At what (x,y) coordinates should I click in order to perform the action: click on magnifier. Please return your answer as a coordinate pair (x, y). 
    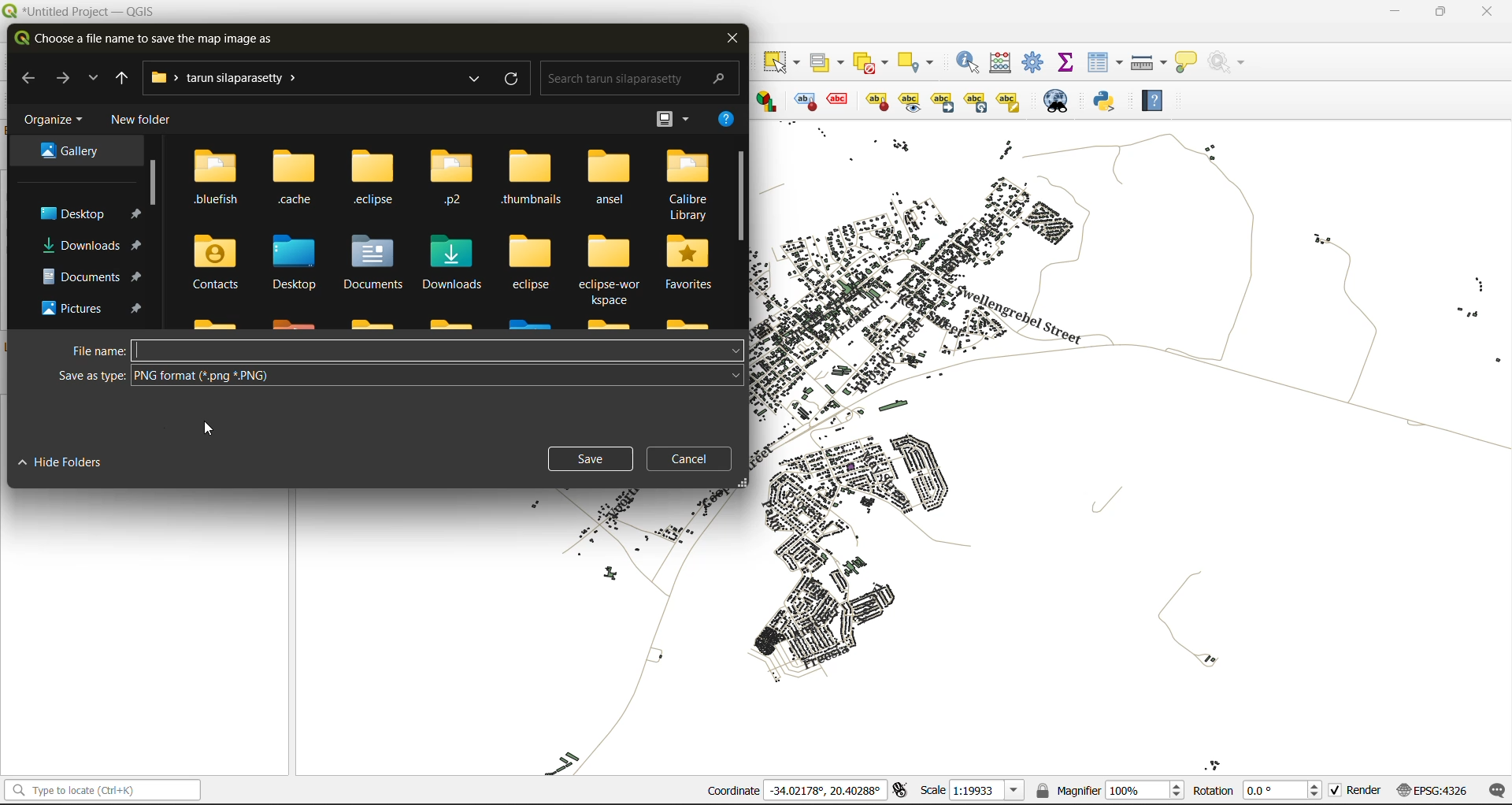
    Looking at the image, I should click on (1110, 788).